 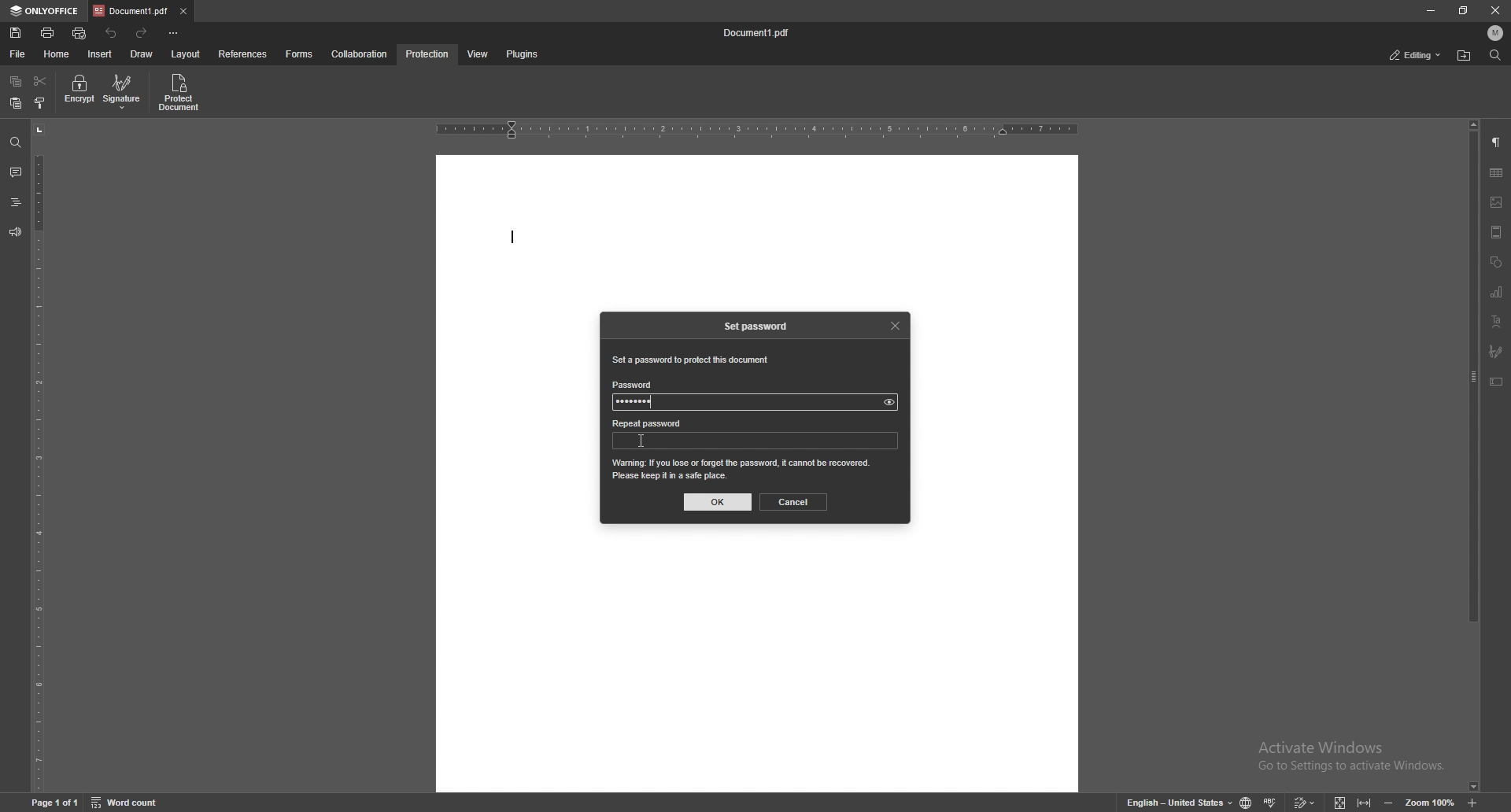 I want to click on set password, so click(x=756, y=325).